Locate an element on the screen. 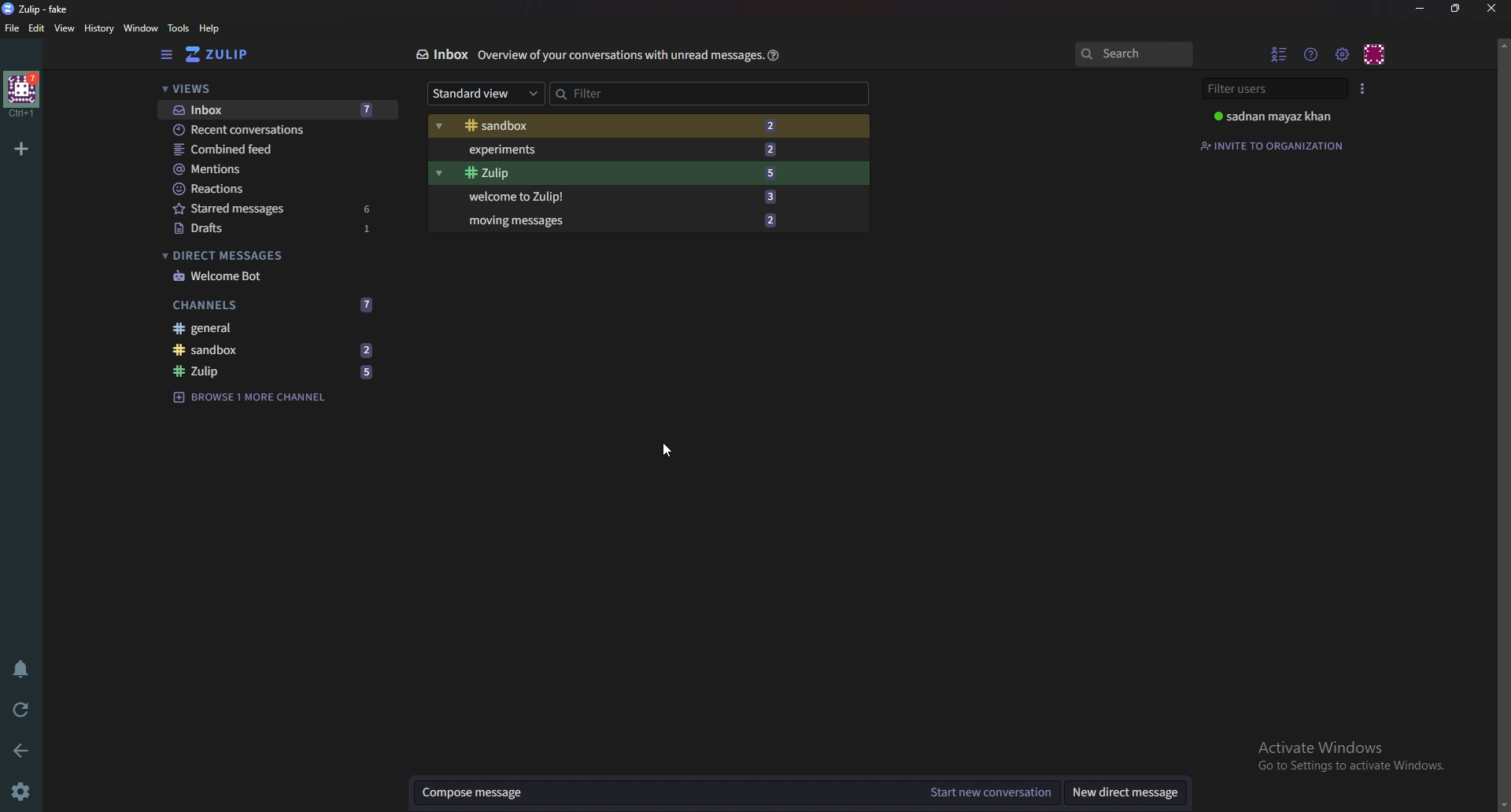 This screenshot has height=812, width=1511. Sandbox is located at coordinates (619, 127).